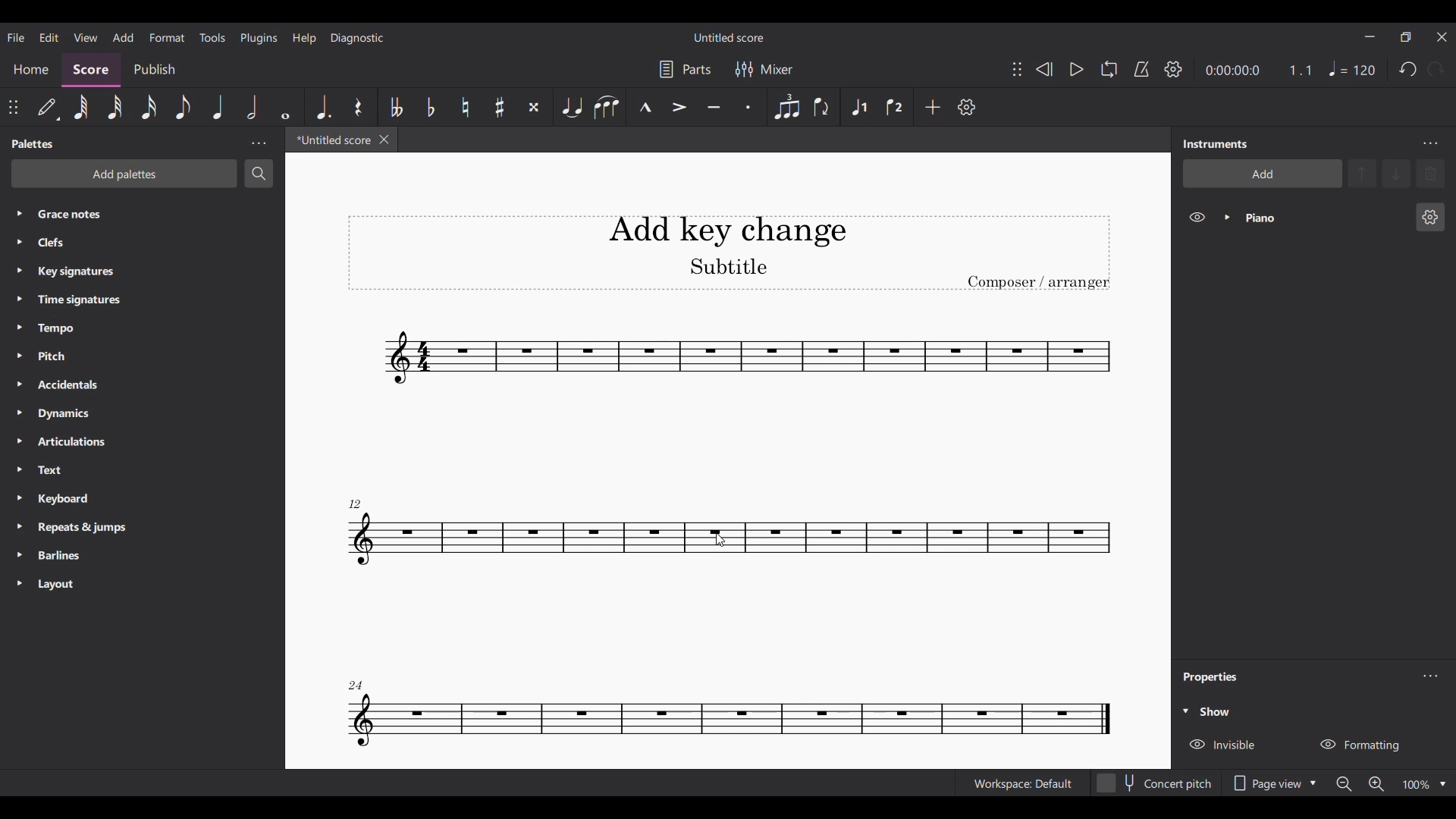 The image size is (1456, 819). I want to click on Toggle double sharp, so click(534, 106).